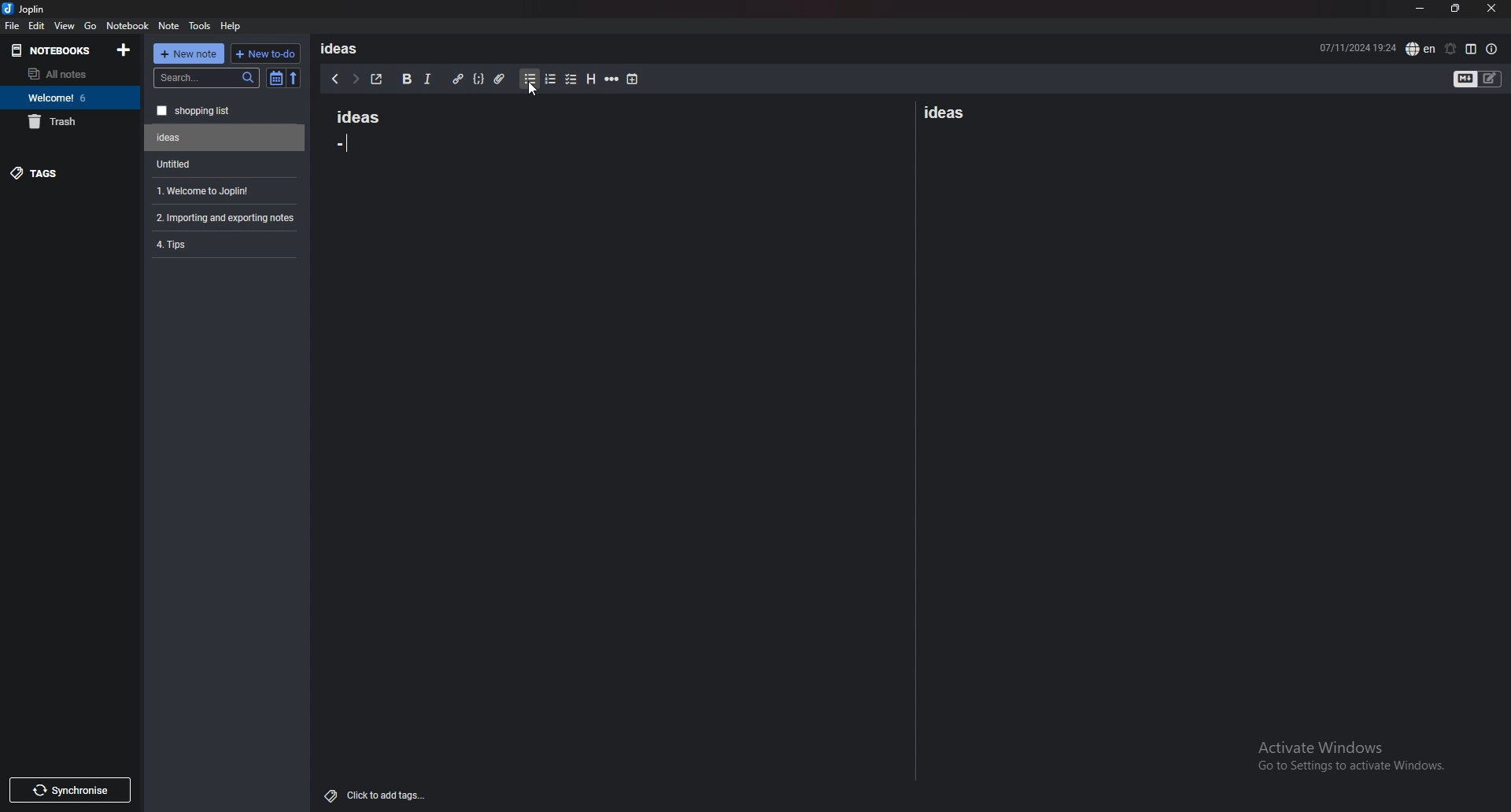 This screenshot has width=1511, height=812. I want to click on bullet list, so click(530, 79).